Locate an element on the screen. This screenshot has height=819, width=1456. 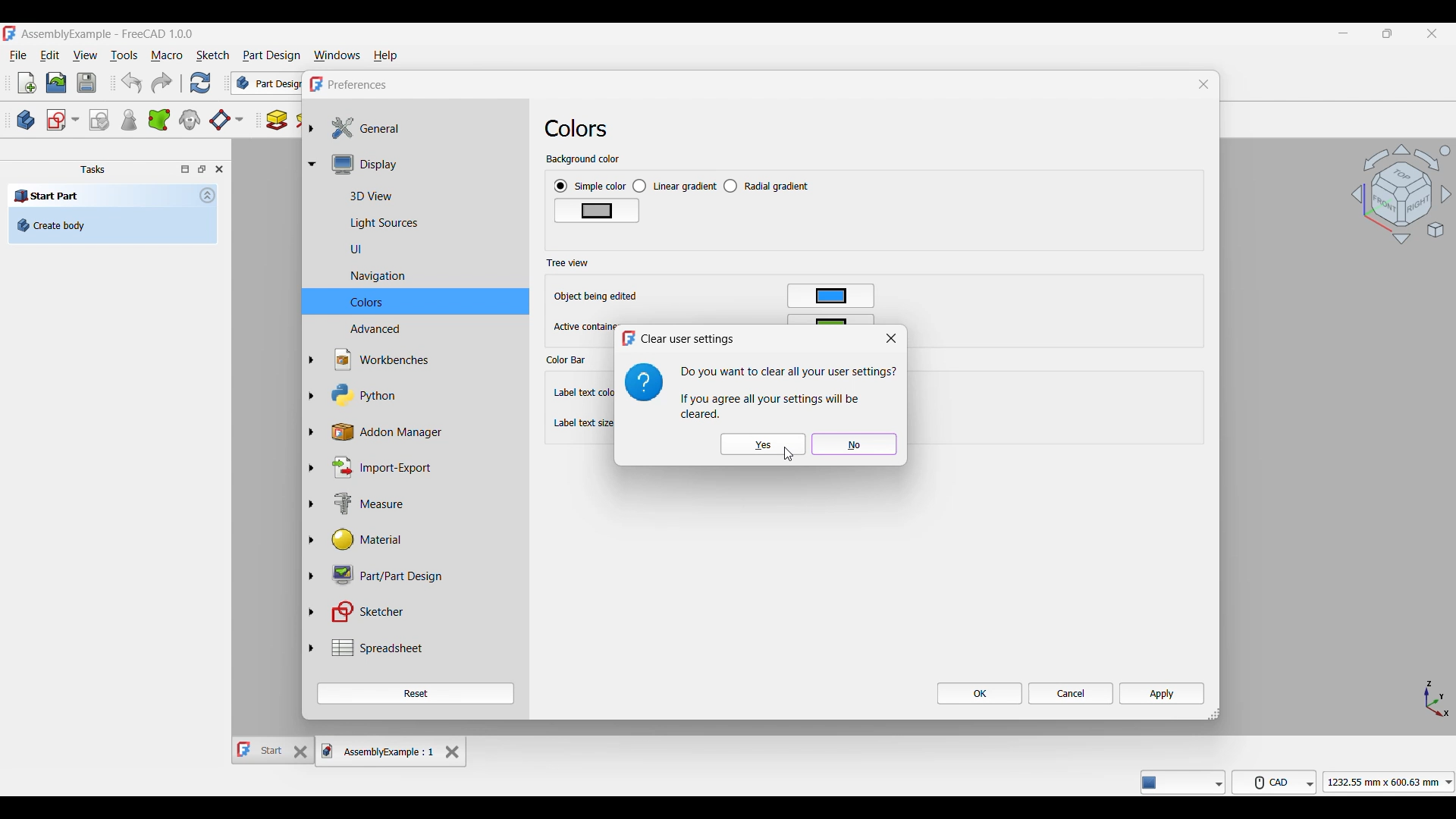
General settings is located at coordinates (360, 128).